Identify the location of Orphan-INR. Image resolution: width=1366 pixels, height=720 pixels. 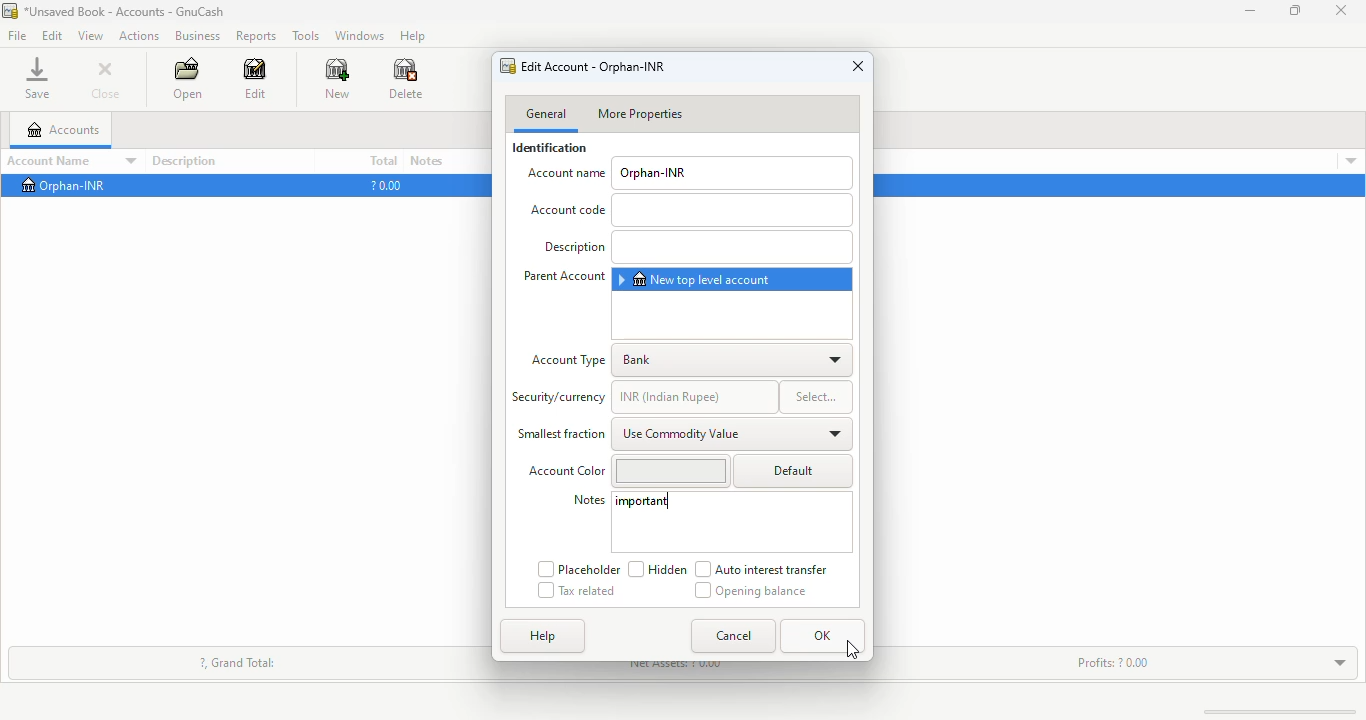
(57, 188).